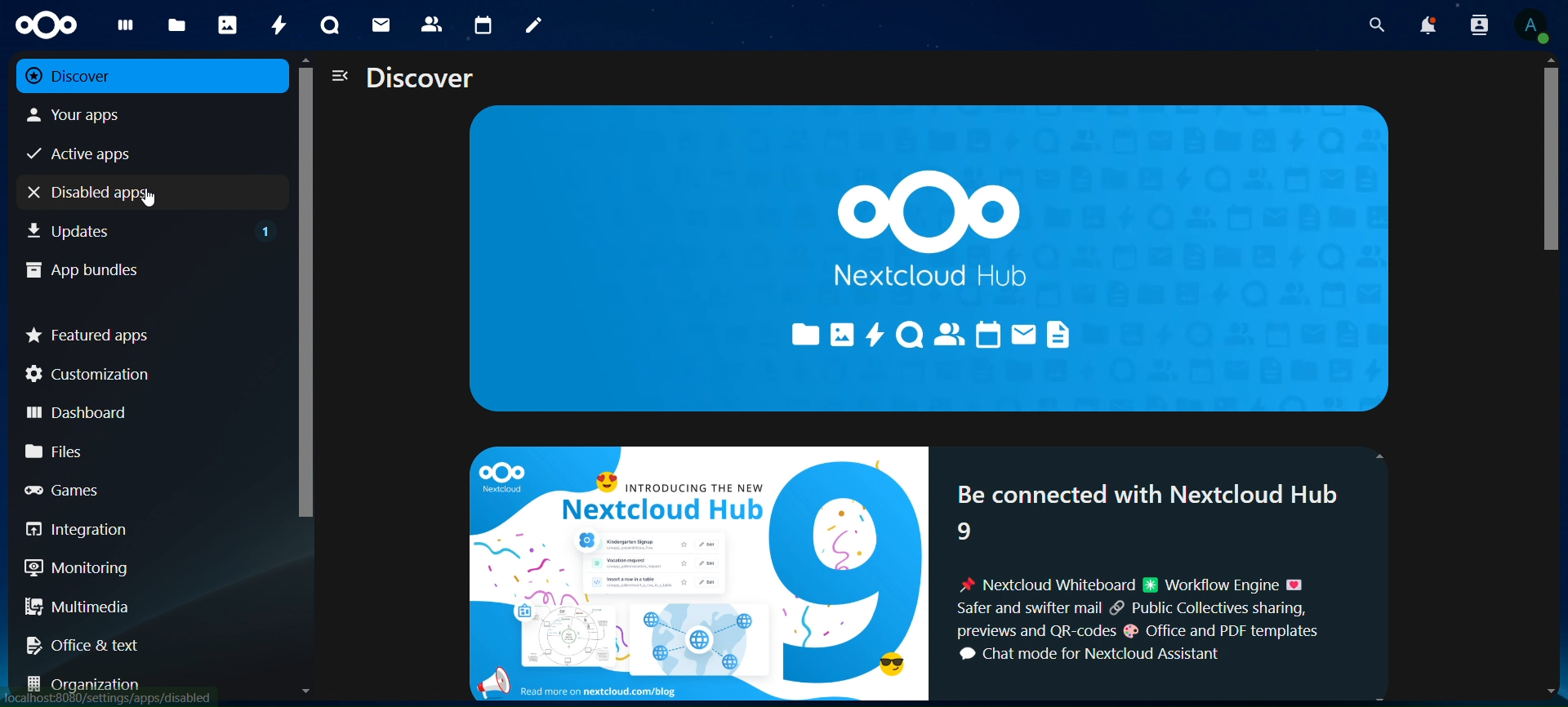 This screenshot has width=1568, height=707. What do you see at coordinates (141, 489) in the screenshot?
I see `games` at bounding box center [141, 489].